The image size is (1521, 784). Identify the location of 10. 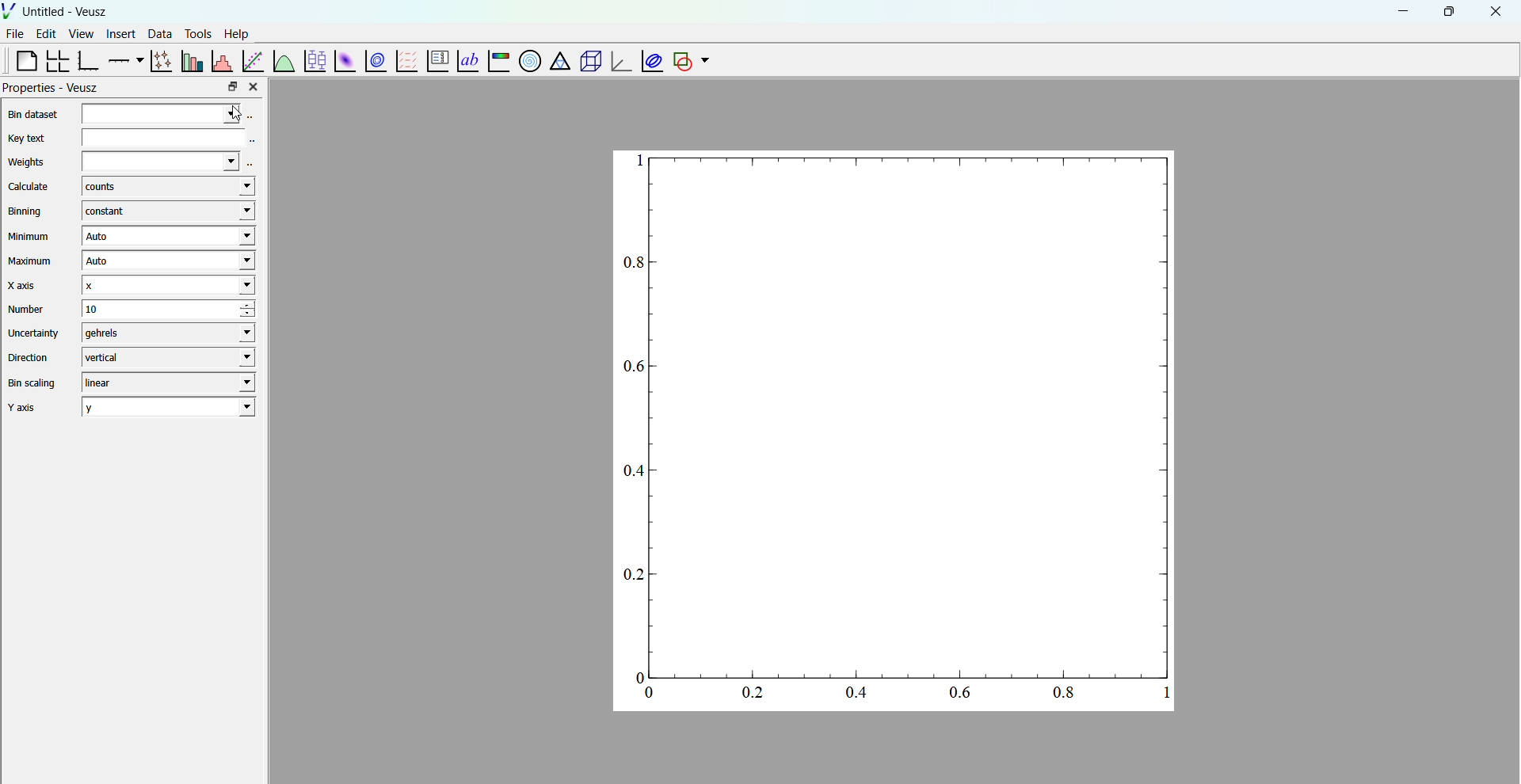
(150, 309).